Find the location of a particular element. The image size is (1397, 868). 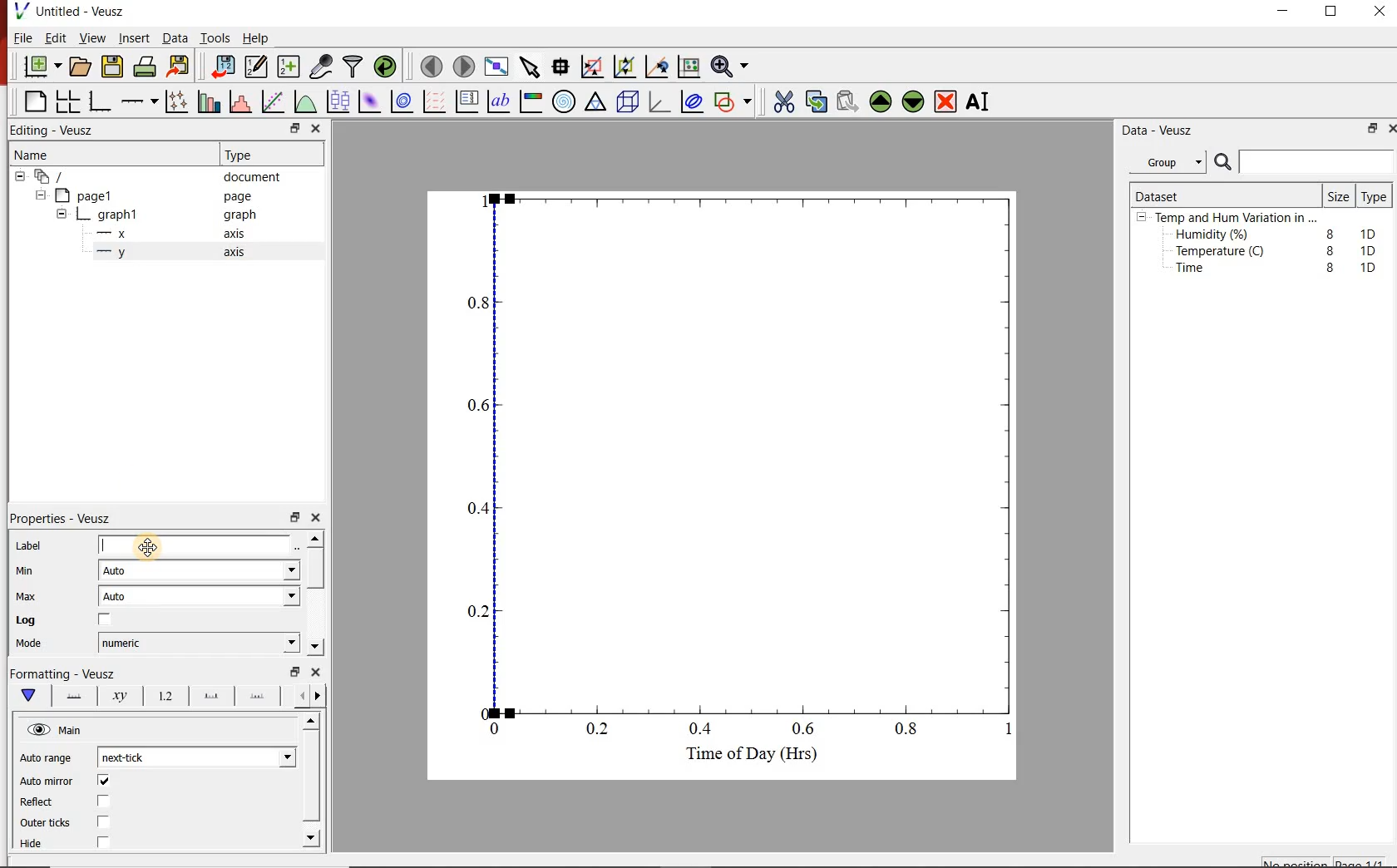

Auto range dropdown is located at coordinates (262, 755).